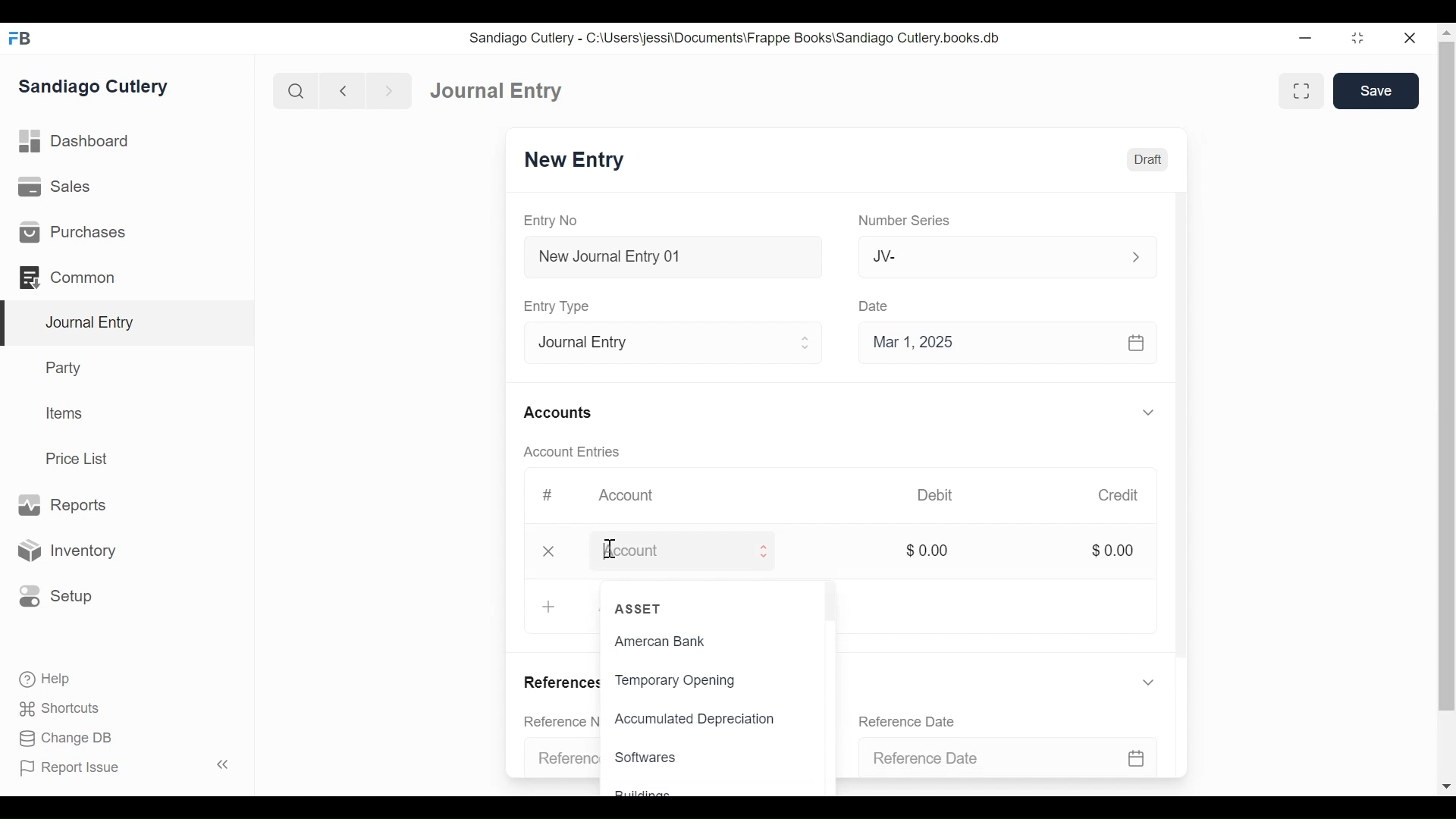 The height and width of the screenshot is (819, 1456). I want to click on Reference Number, so click(562, 720).